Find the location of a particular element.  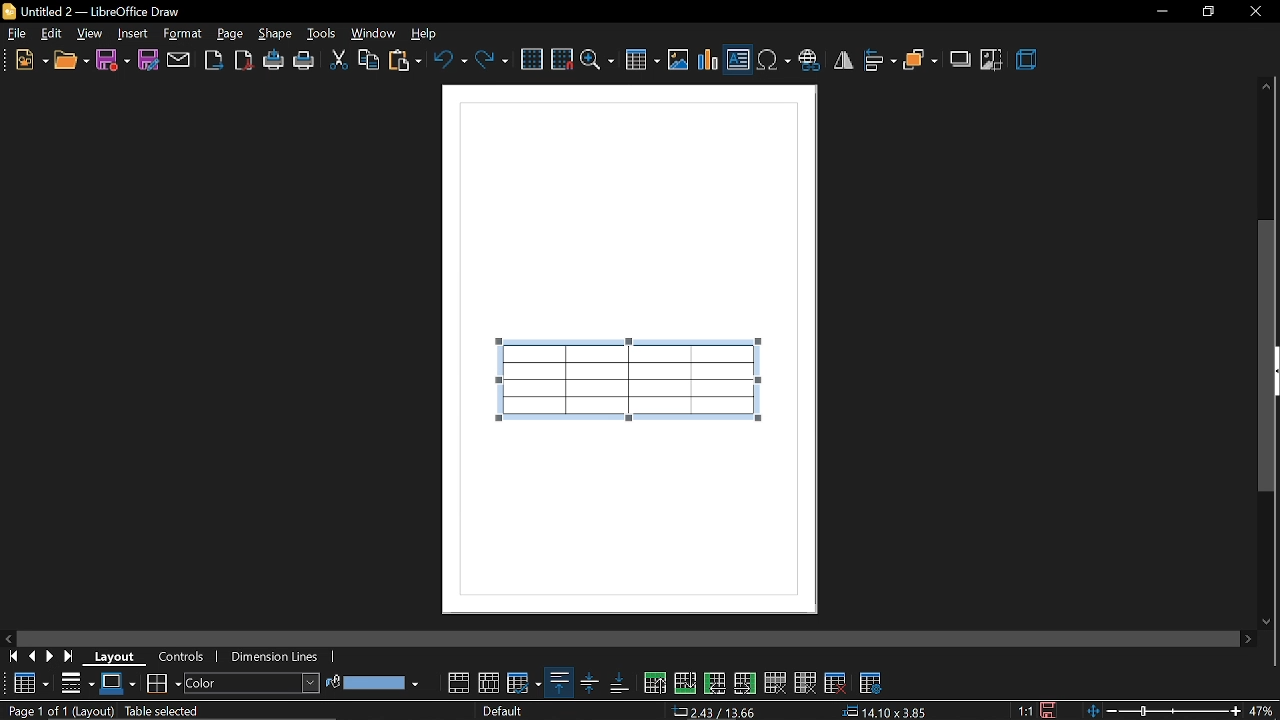

insert row below is located at coordinates (686, 682).